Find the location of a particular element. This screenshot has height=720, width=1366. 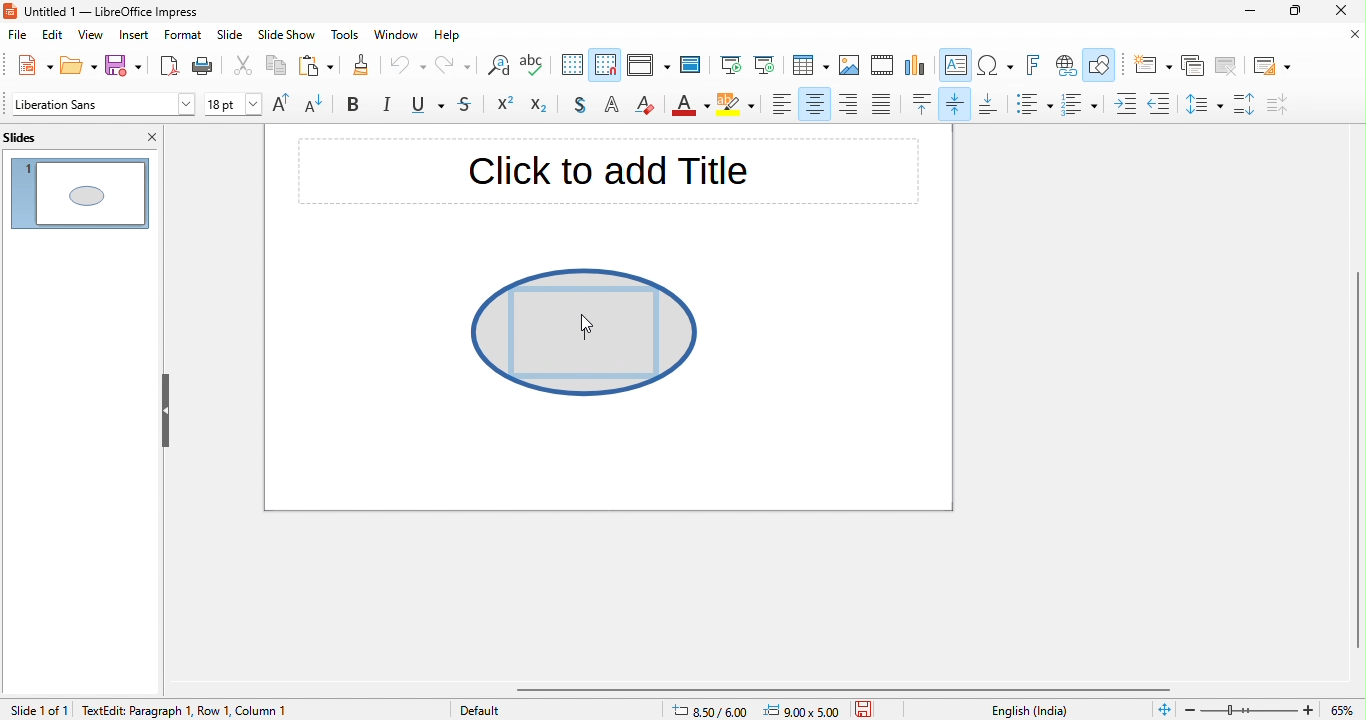

decrease indent is located at coordinates (1159, 101).